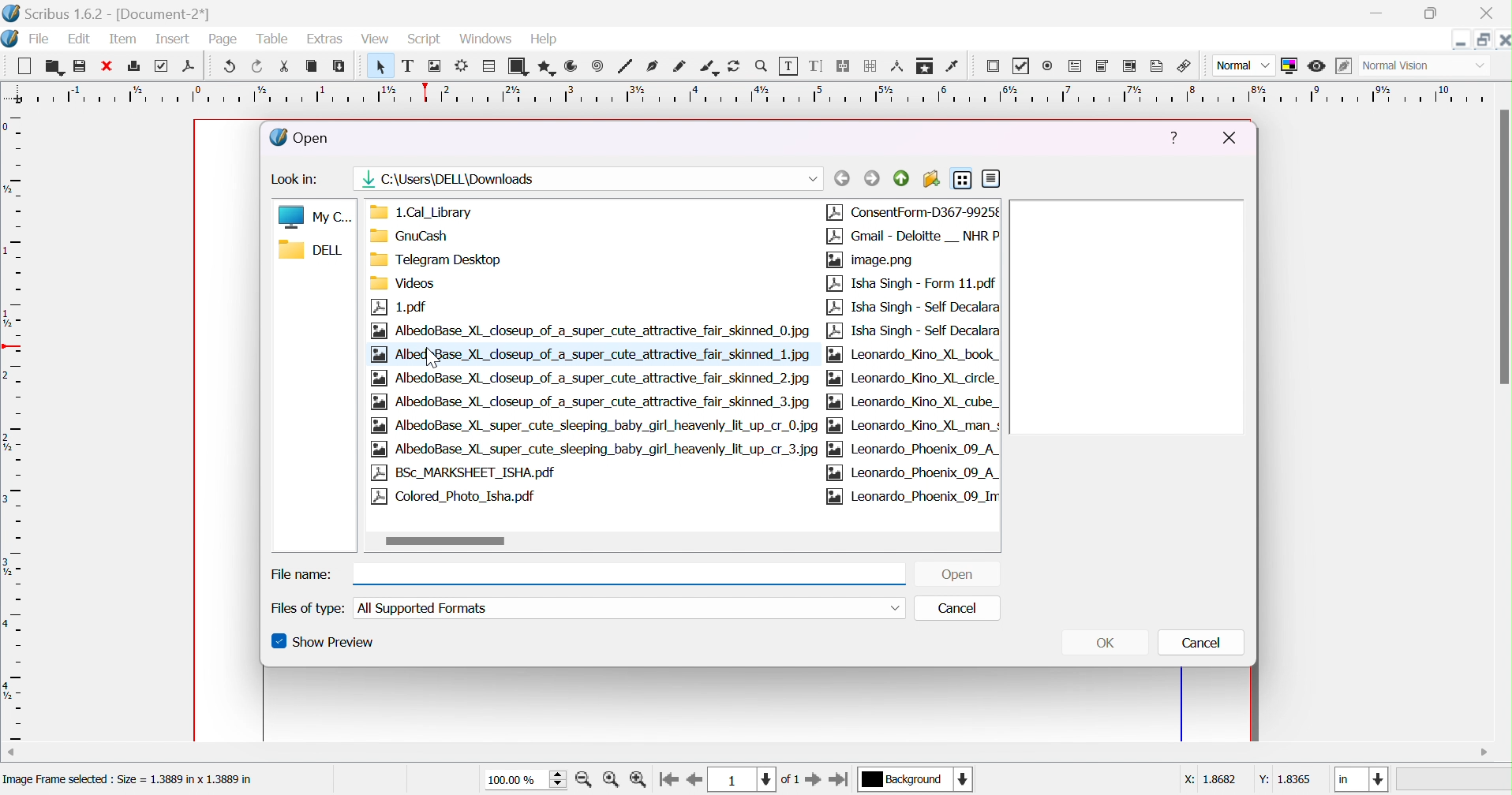 The height and width of the screenshot is (795, 1512). I want to click on restore down, so click(1432, 15).